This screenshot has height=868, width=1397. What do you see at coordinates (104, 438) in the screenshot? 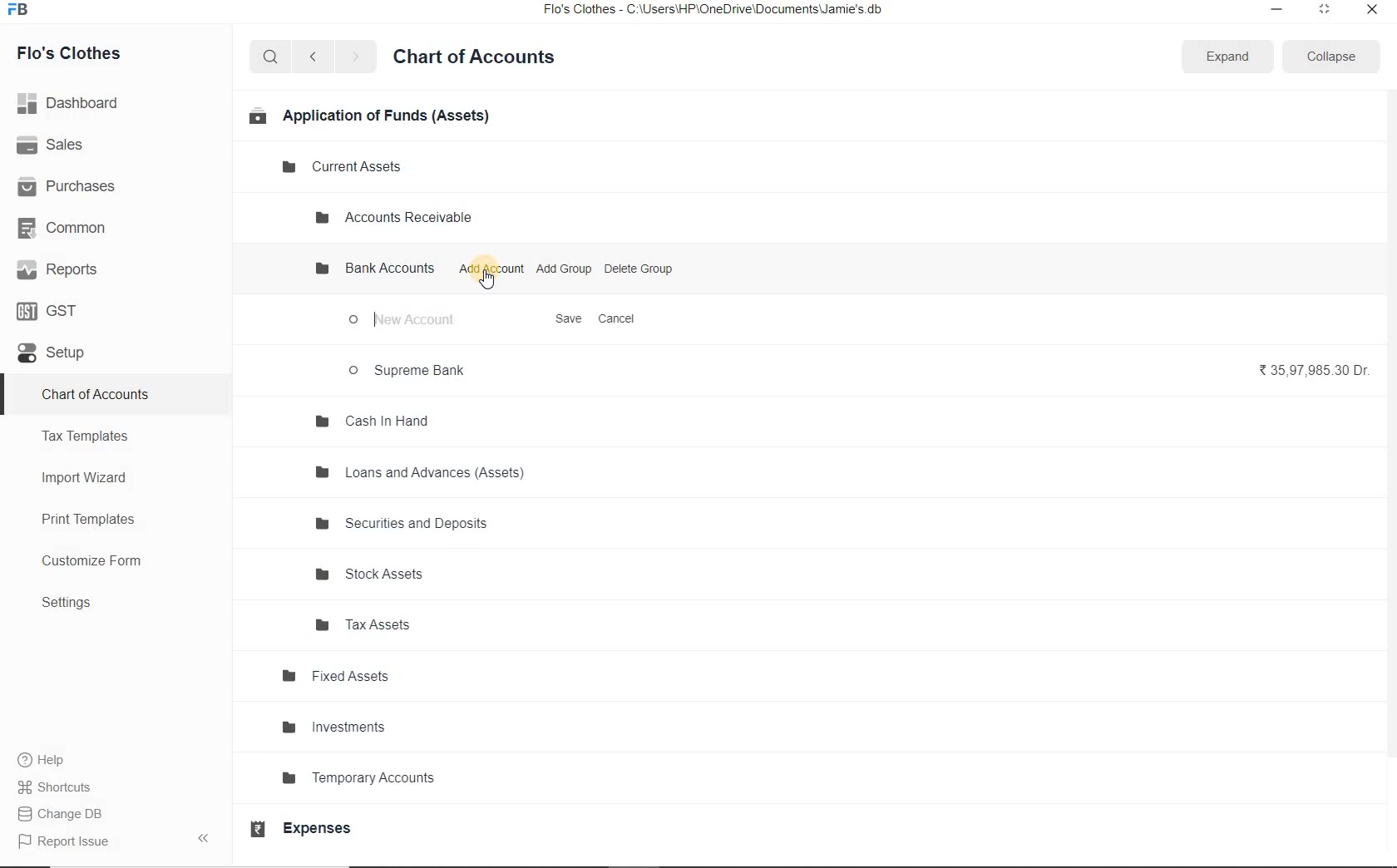
I see `Tax Templates` at bounding box center [104, 438].